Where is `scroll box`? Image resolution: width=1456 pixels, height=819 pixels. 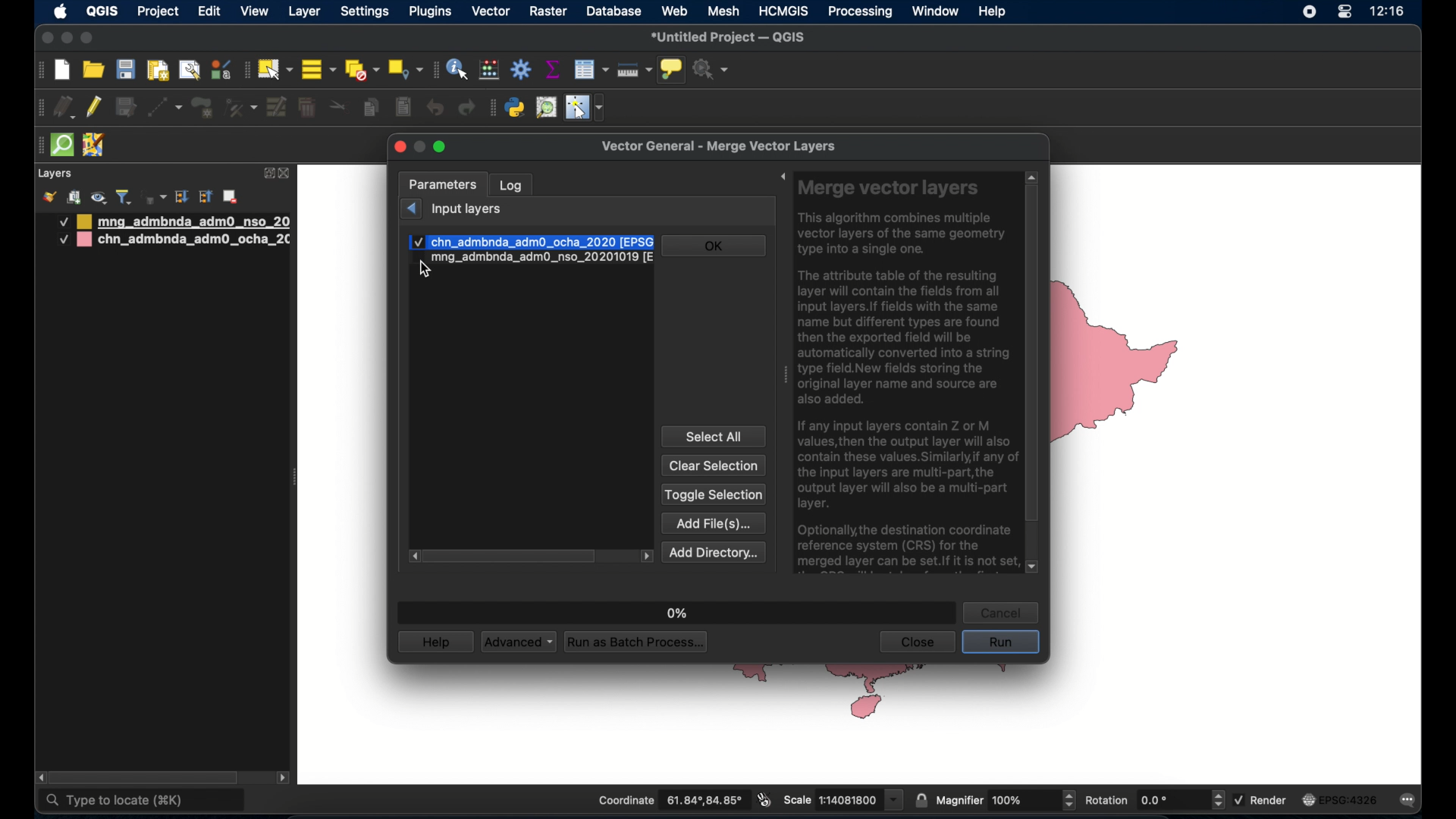
scroll box is located at coordinates (1032, 356).